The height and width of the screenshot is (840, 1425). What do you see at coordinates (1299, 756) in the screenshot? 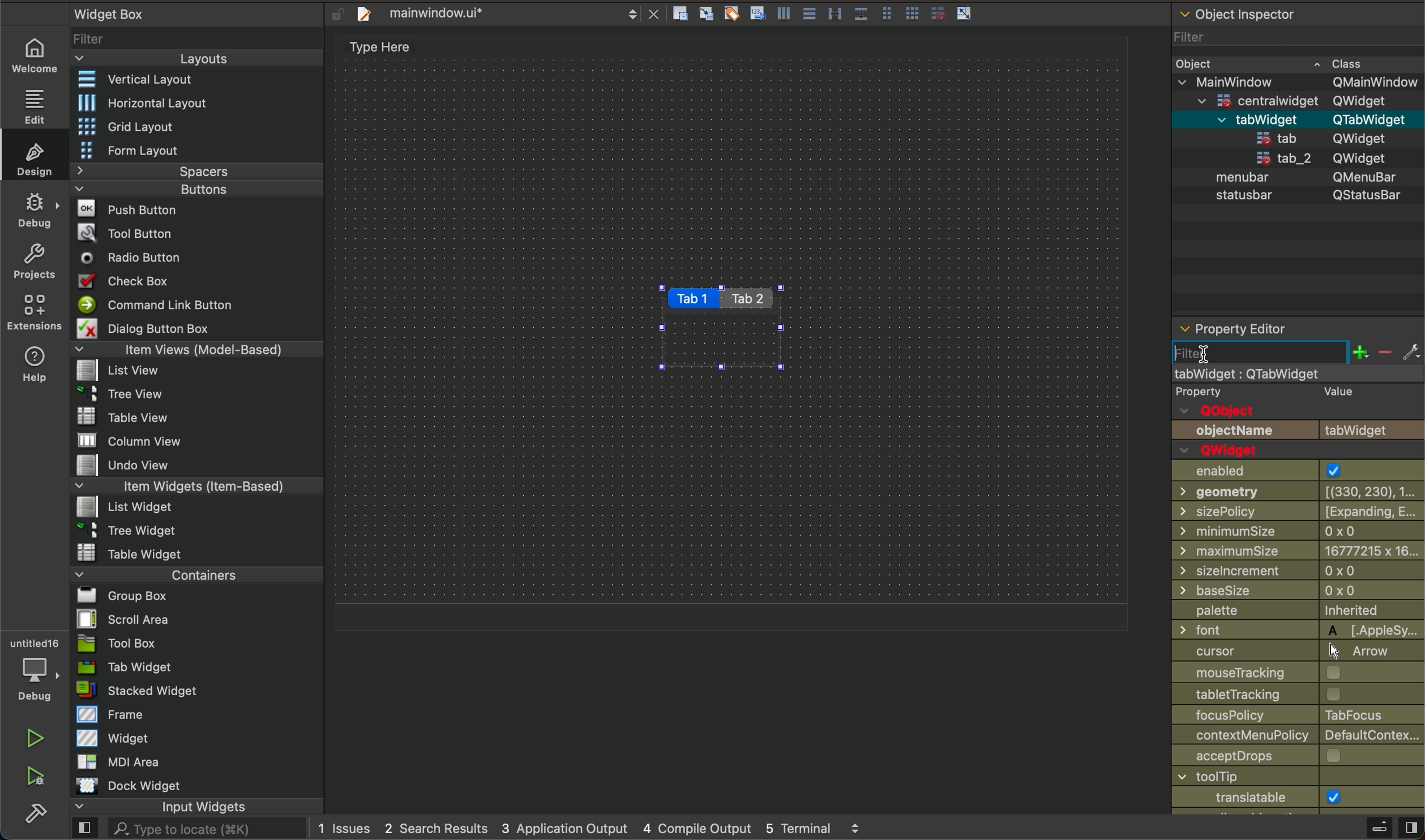
I see `accept drops` at bounding box center [1299, 756].